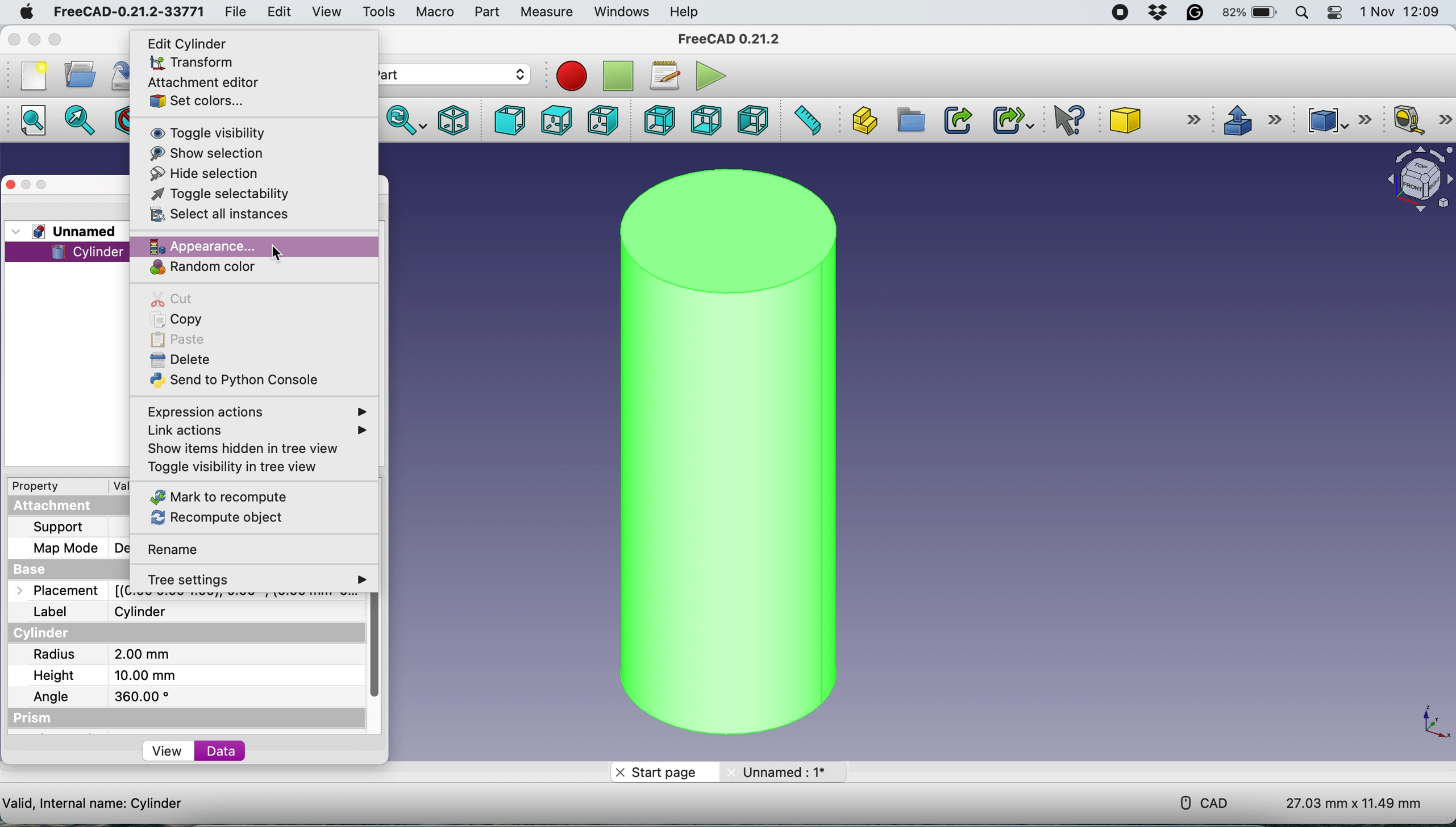 This screenshot has width=1456, height=827. Describe the element at coordinates (1347, 803) in the screenshot. I see `dimensions` at that location.